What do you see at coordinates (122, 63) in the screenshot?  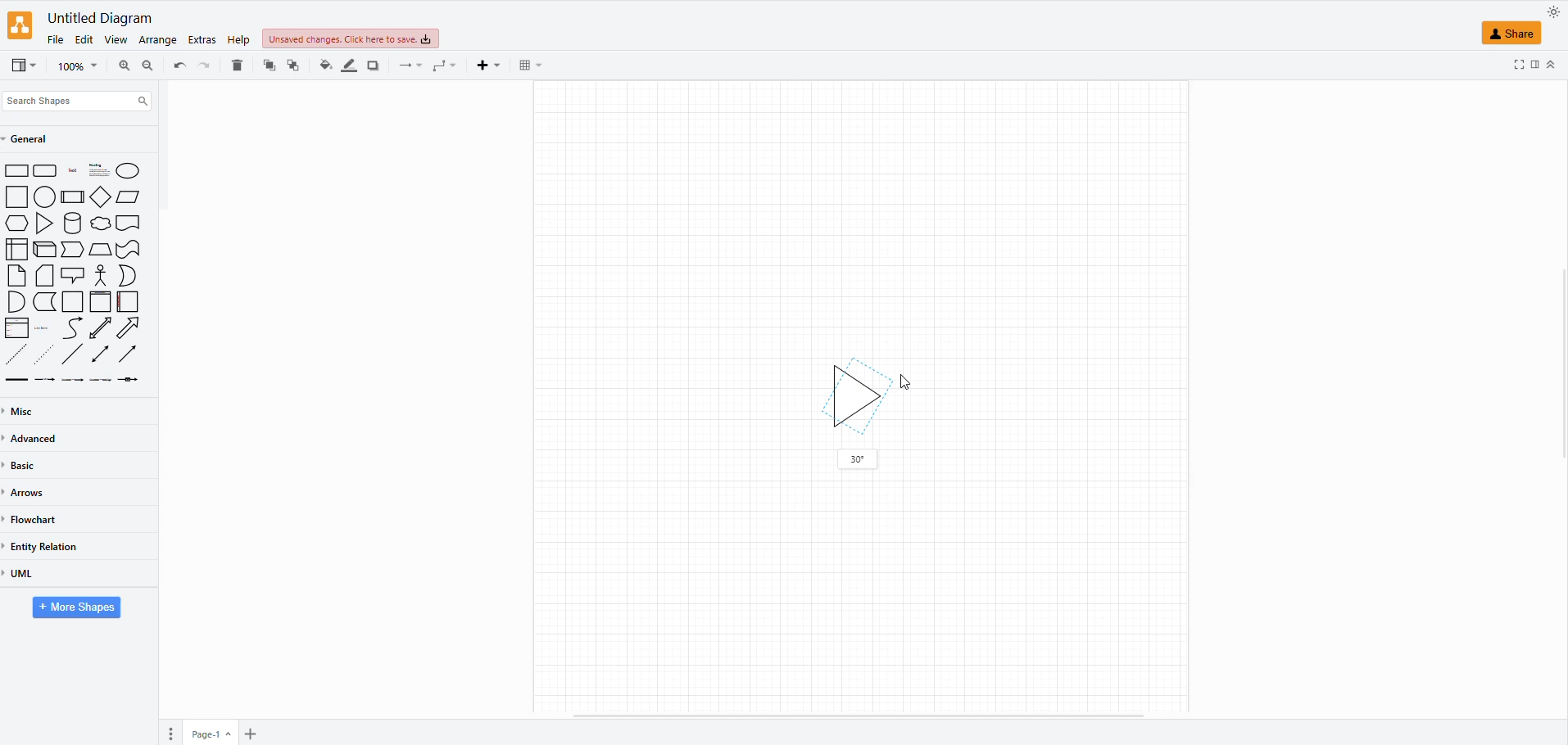 I see `zoom out` at bounding box center [122, 63].